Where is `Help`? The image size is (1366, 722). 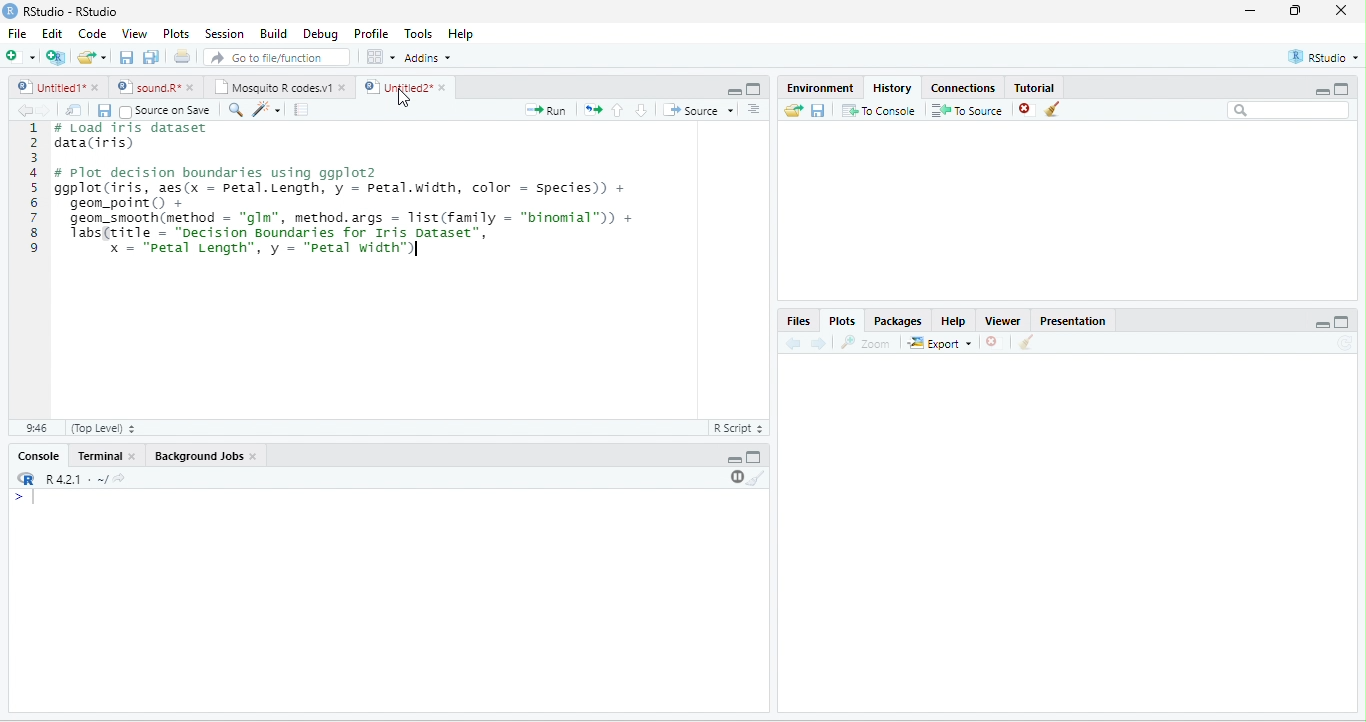
Help is located at coordinates (954, 321).